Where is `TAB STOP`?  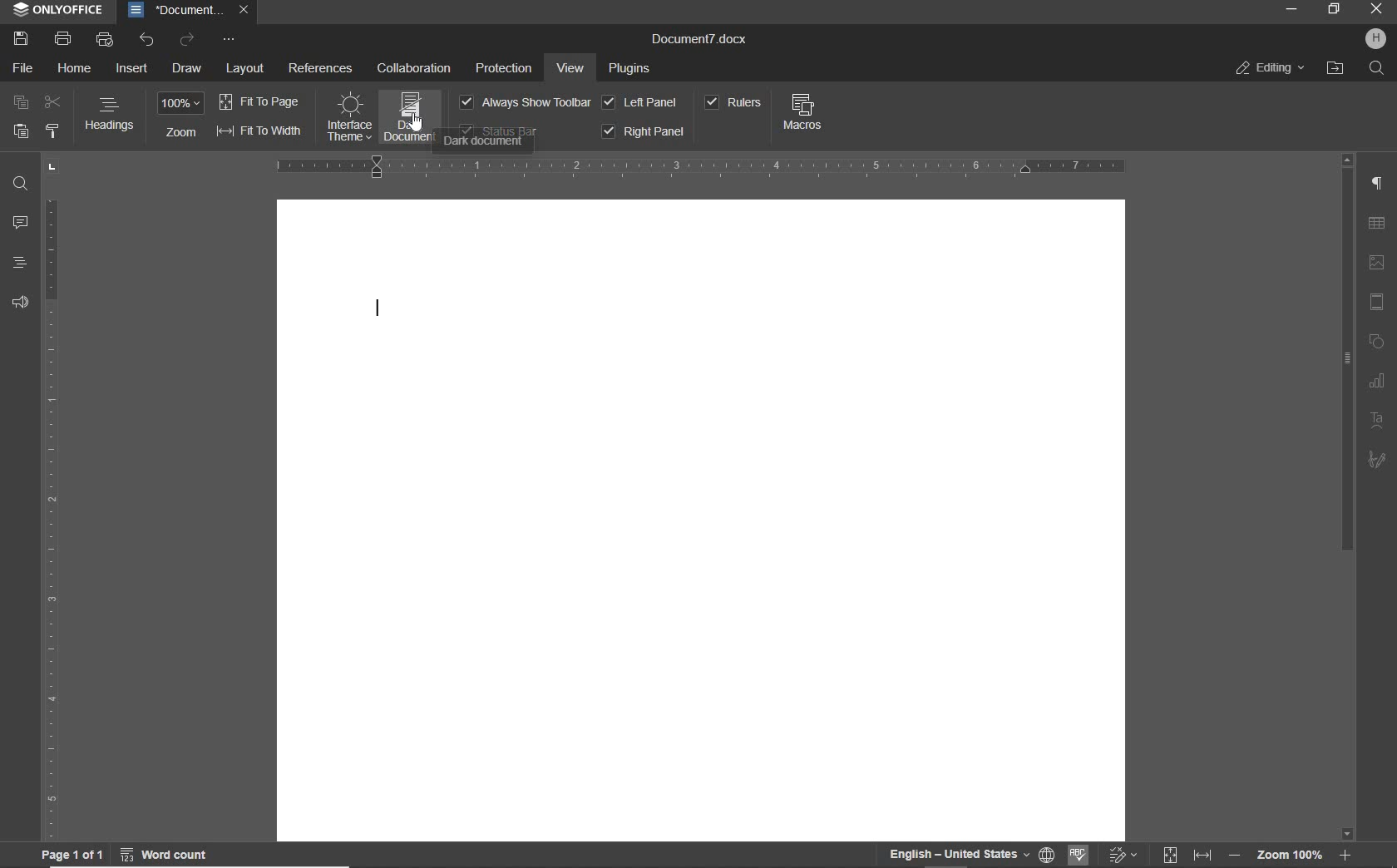
TAB STOP is located at coordinates (52, 168).